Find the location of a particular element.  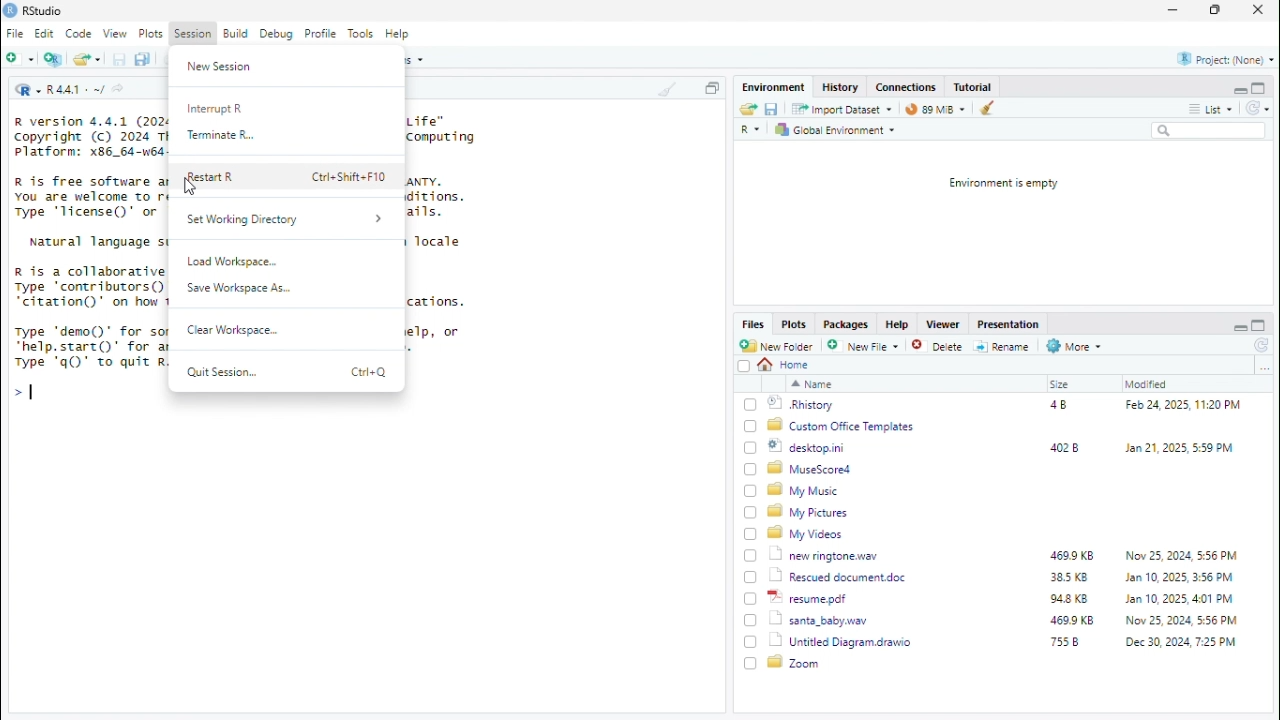

maximise is located at coordinates (1259, 326).